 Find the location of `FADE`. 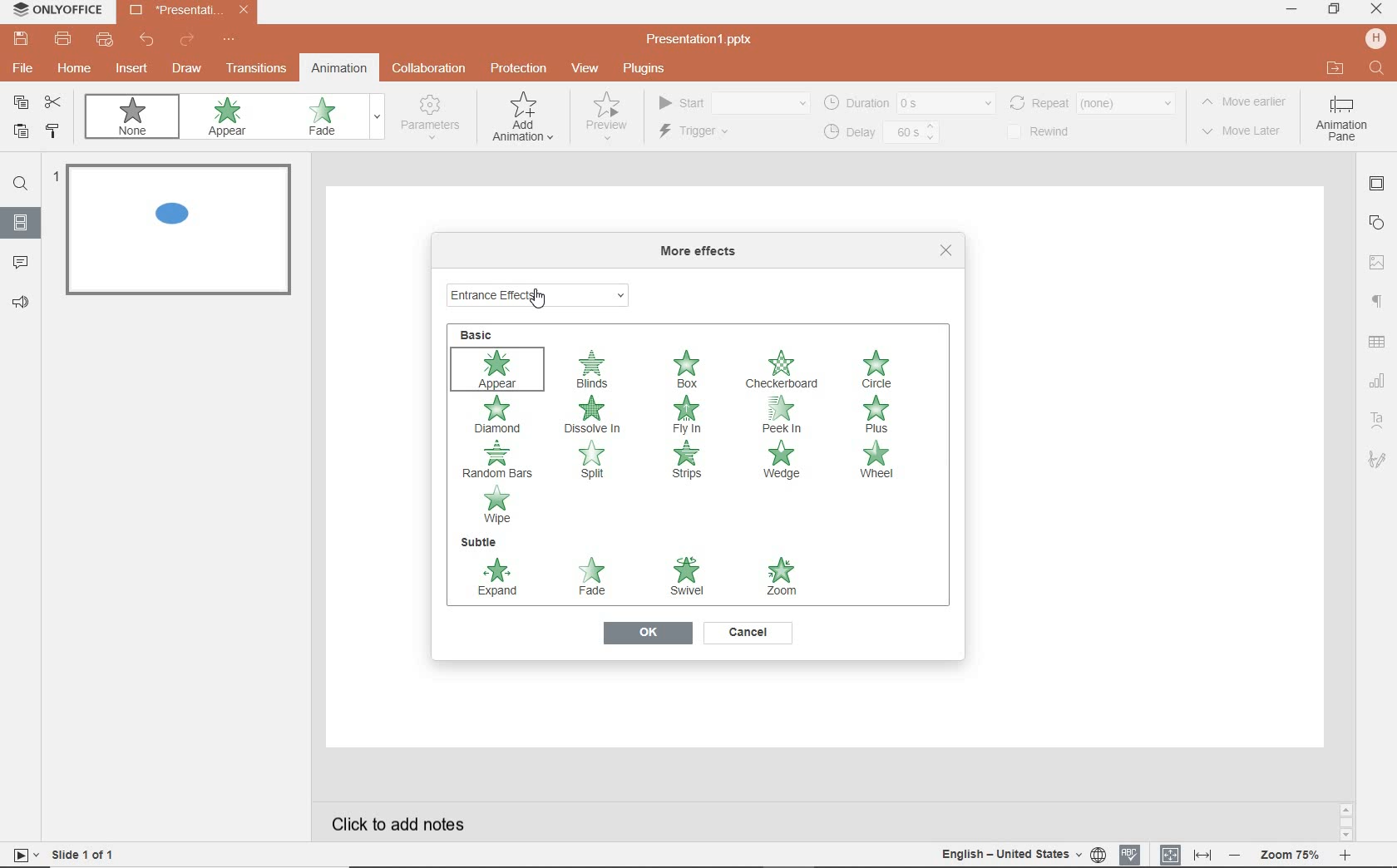

FADE is located at coordinates (596, 579).